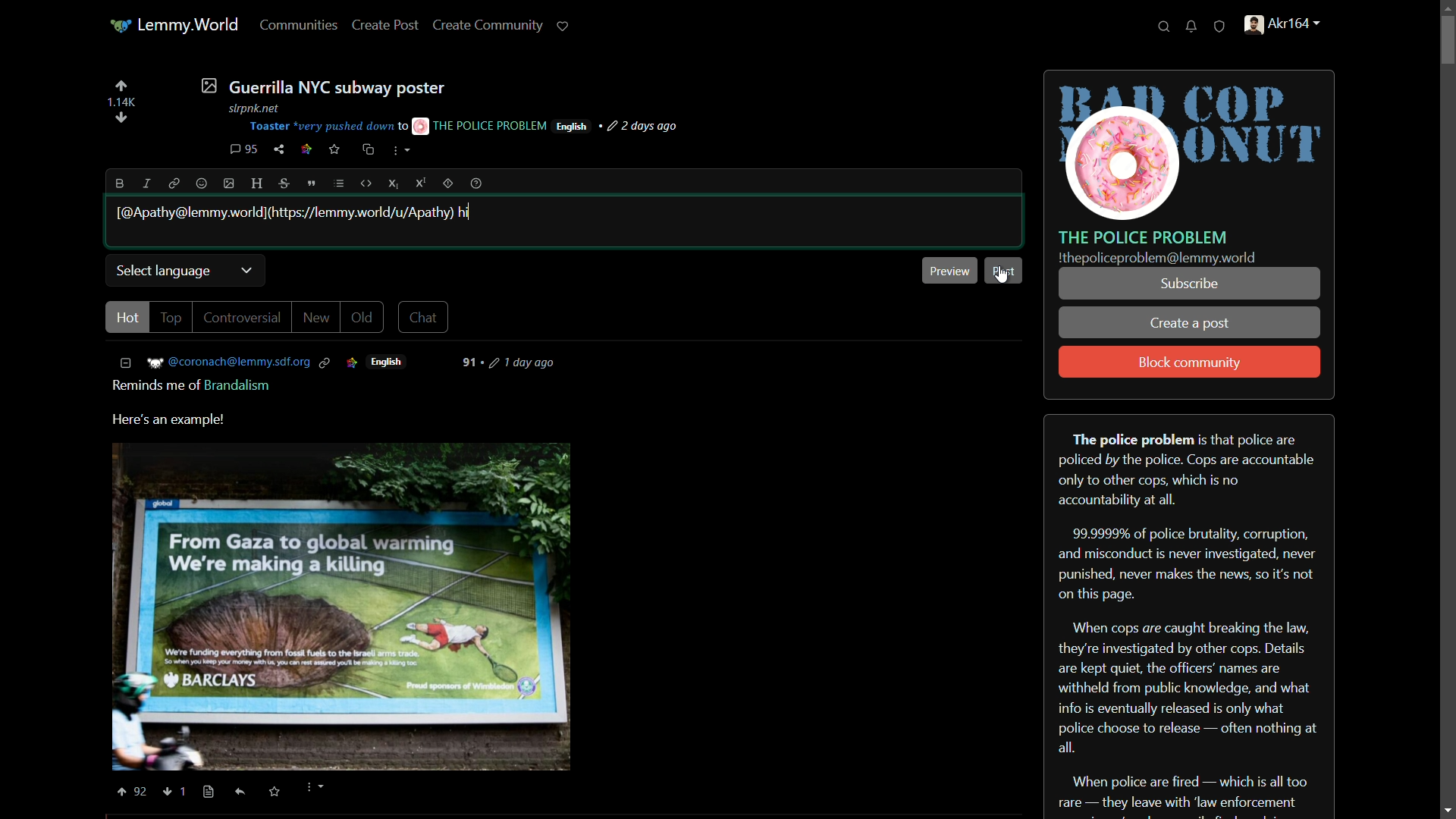 The width and height of the screenshot is (1456, 819). What do you see at coordinates (339, 184) in the screenshot?
I see `list` at bounding box center [339, 184].